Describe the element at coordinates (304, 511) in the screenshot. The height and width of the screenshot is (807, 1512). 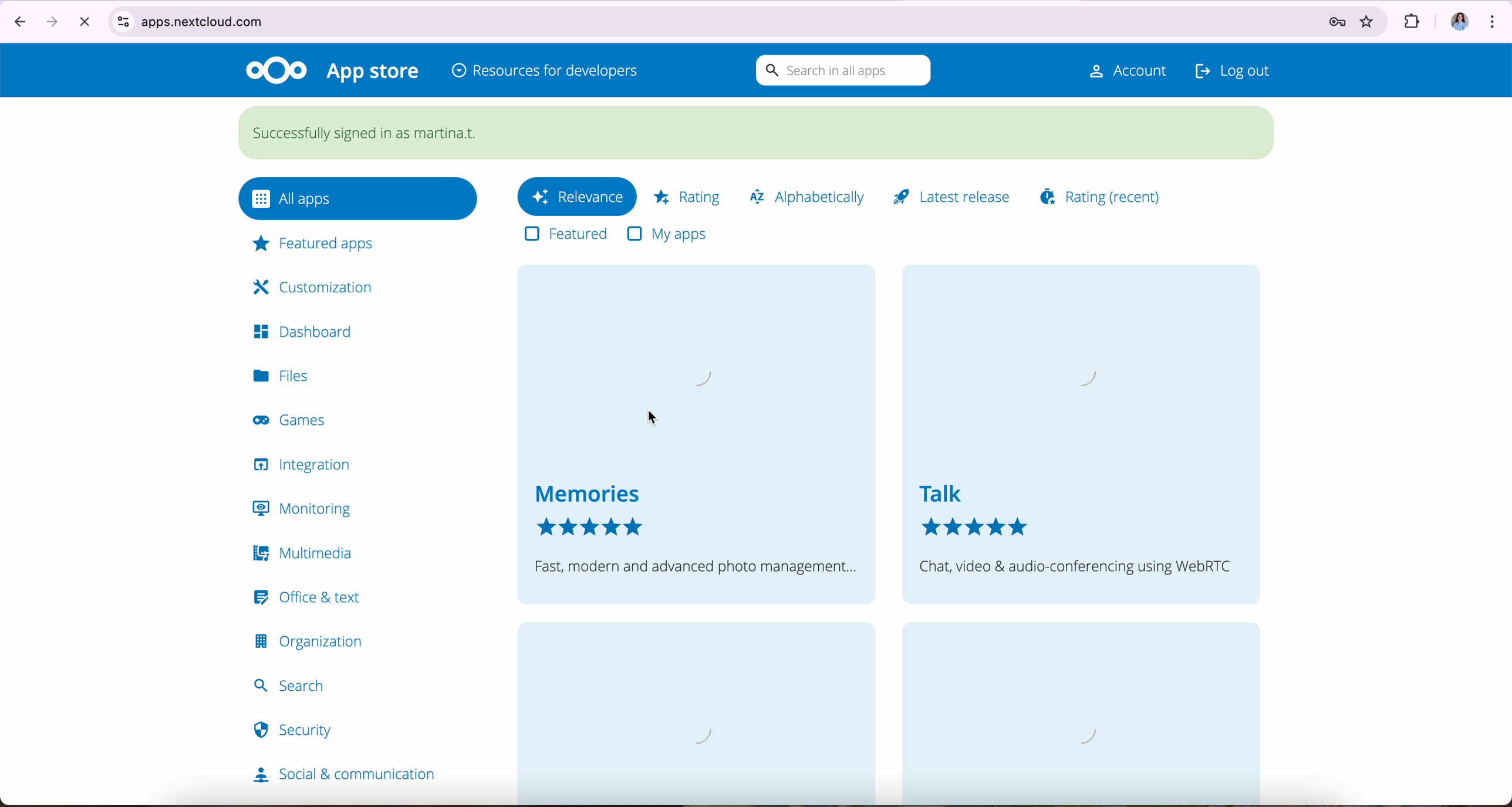
I see `monitoring` at that location.